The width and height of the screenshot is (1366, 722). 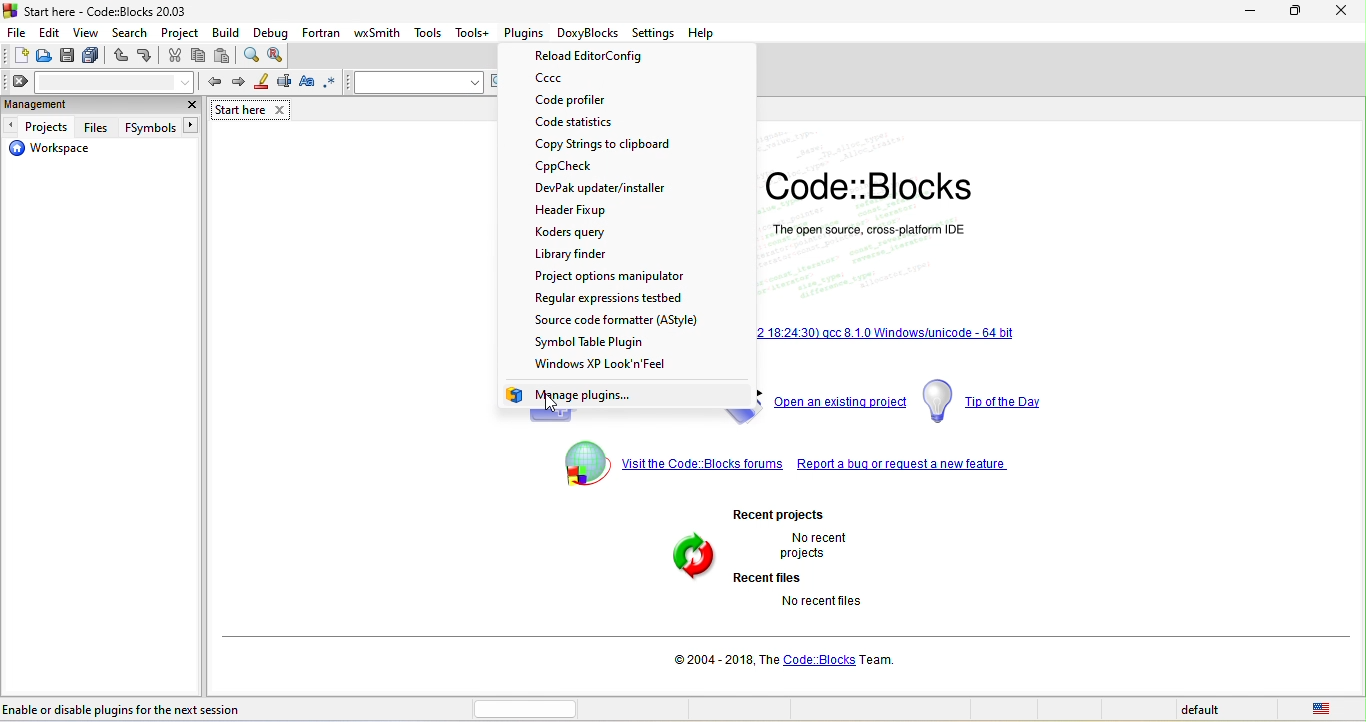 I want to click on symbol table plugin, so click(x=634, y=342).